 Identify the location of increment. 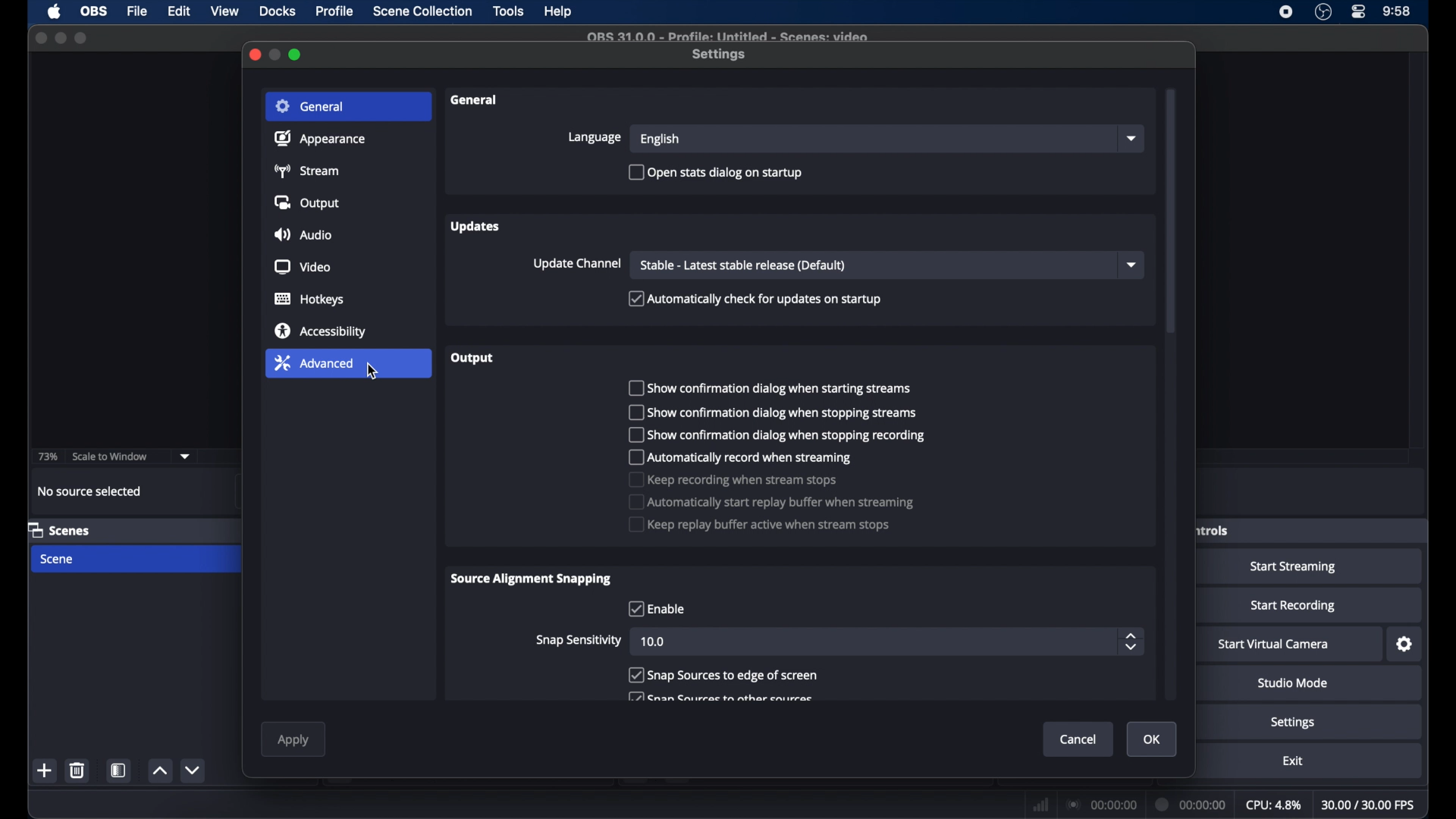
(160, 772).